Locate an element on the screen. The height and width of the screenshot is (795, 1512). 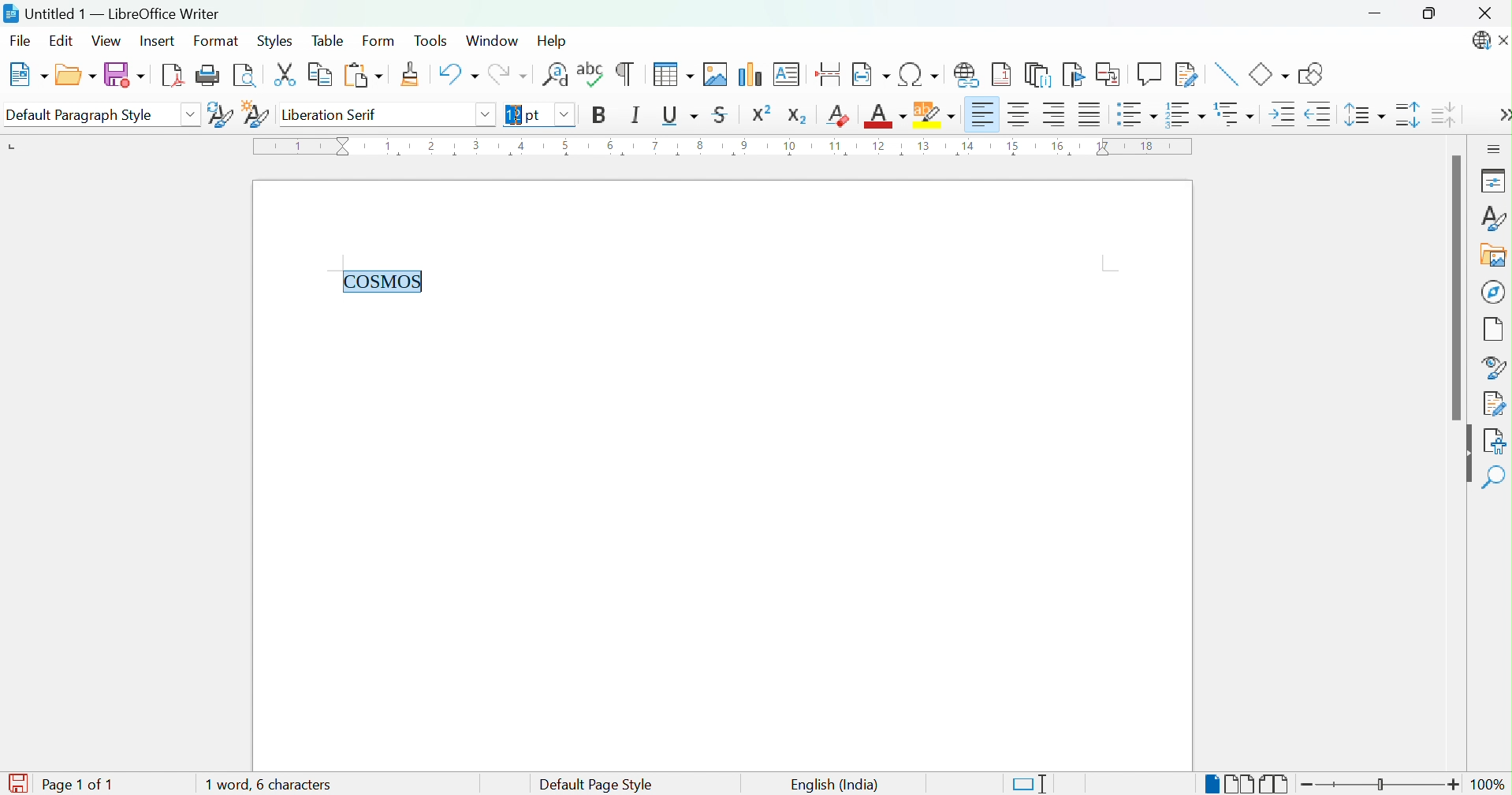
Insert is located at coordinates (160, 43).